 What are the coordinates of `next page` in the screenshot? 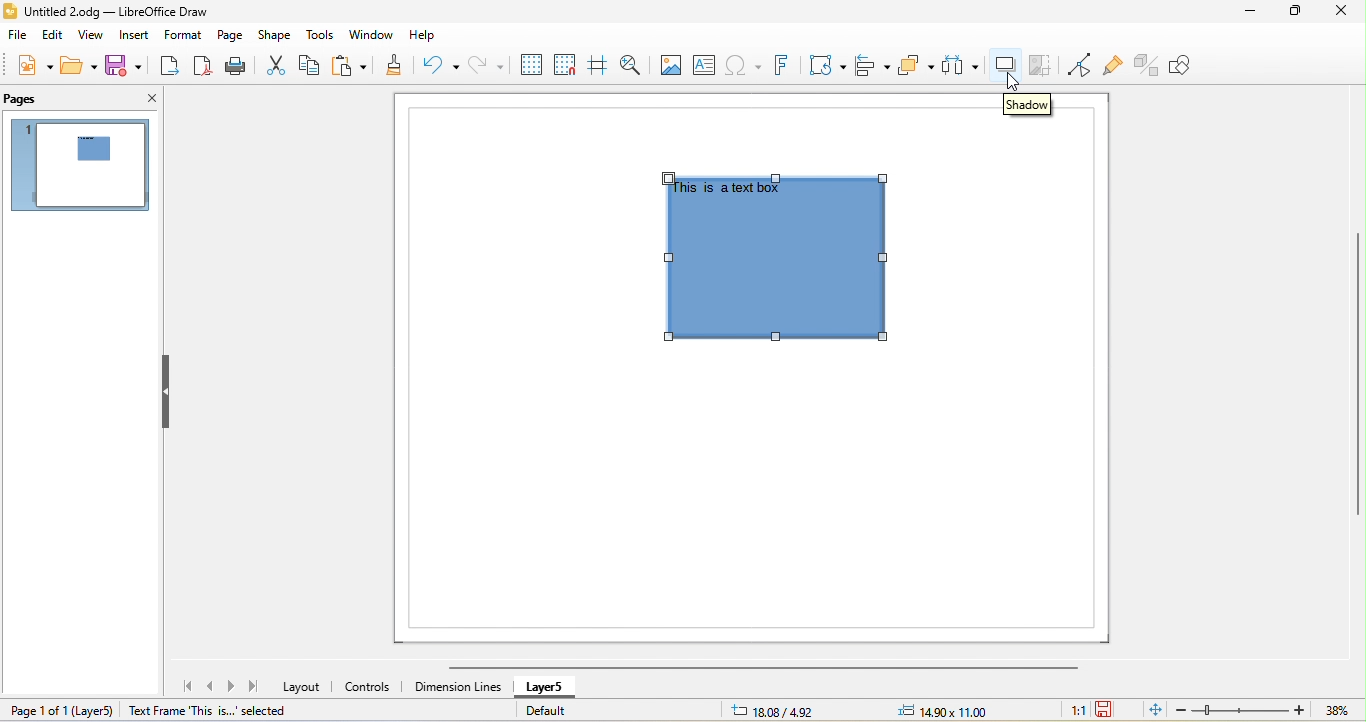 It's located at (233, 686).